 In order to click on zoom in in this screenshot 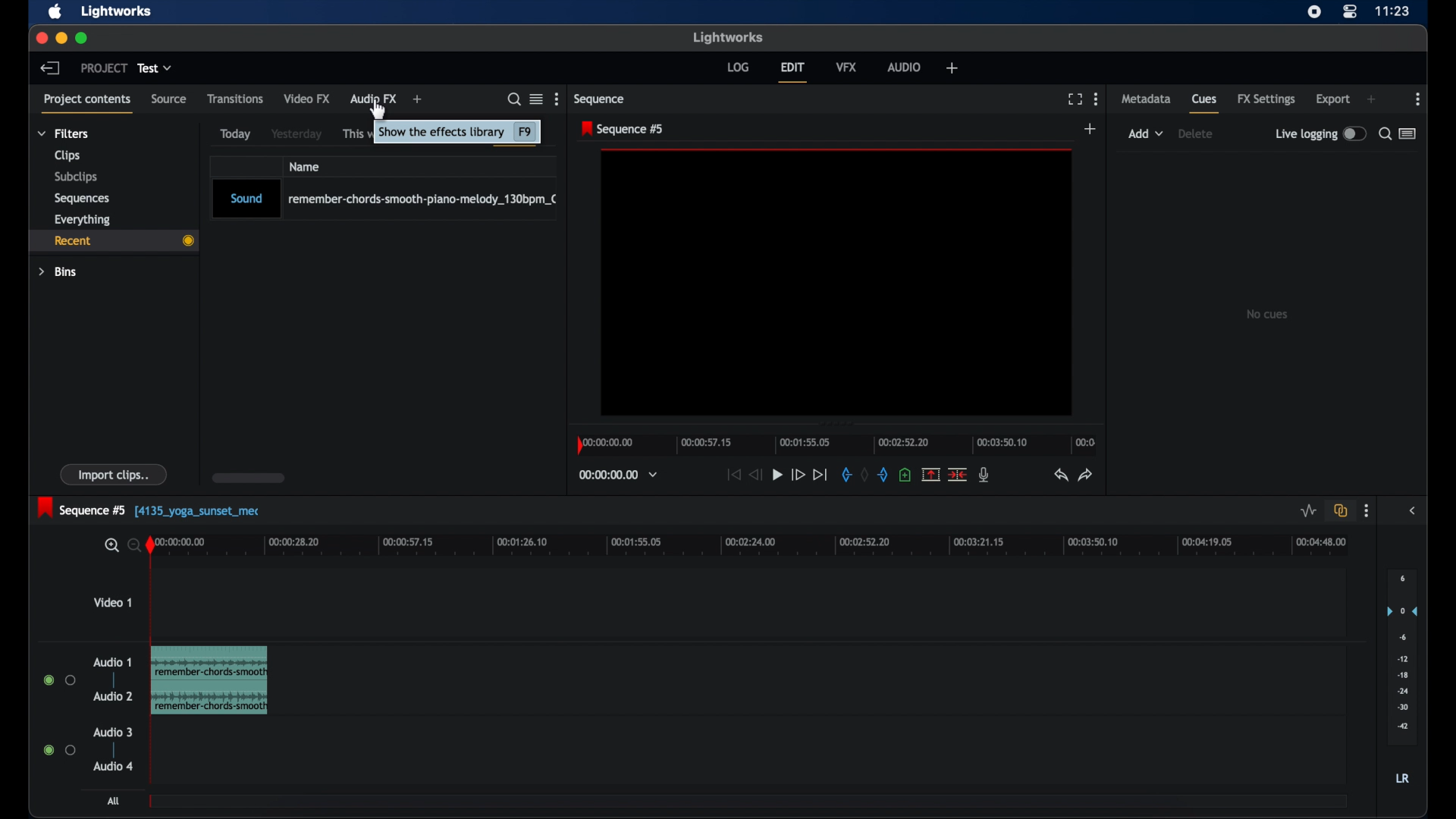, I will do `click(109, 545)`.